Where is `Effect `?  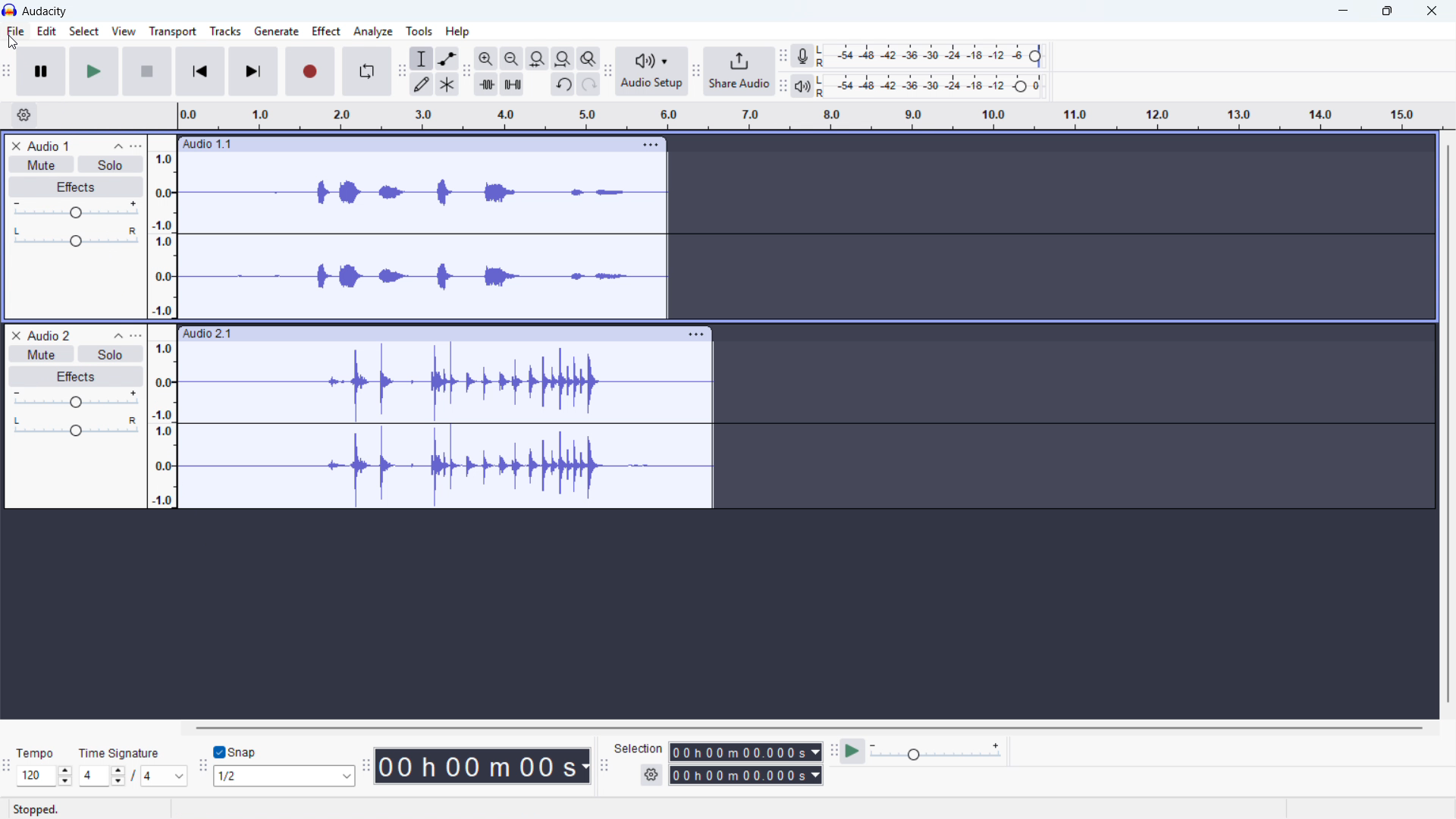 Effect  is located at coordinates (326, 30).